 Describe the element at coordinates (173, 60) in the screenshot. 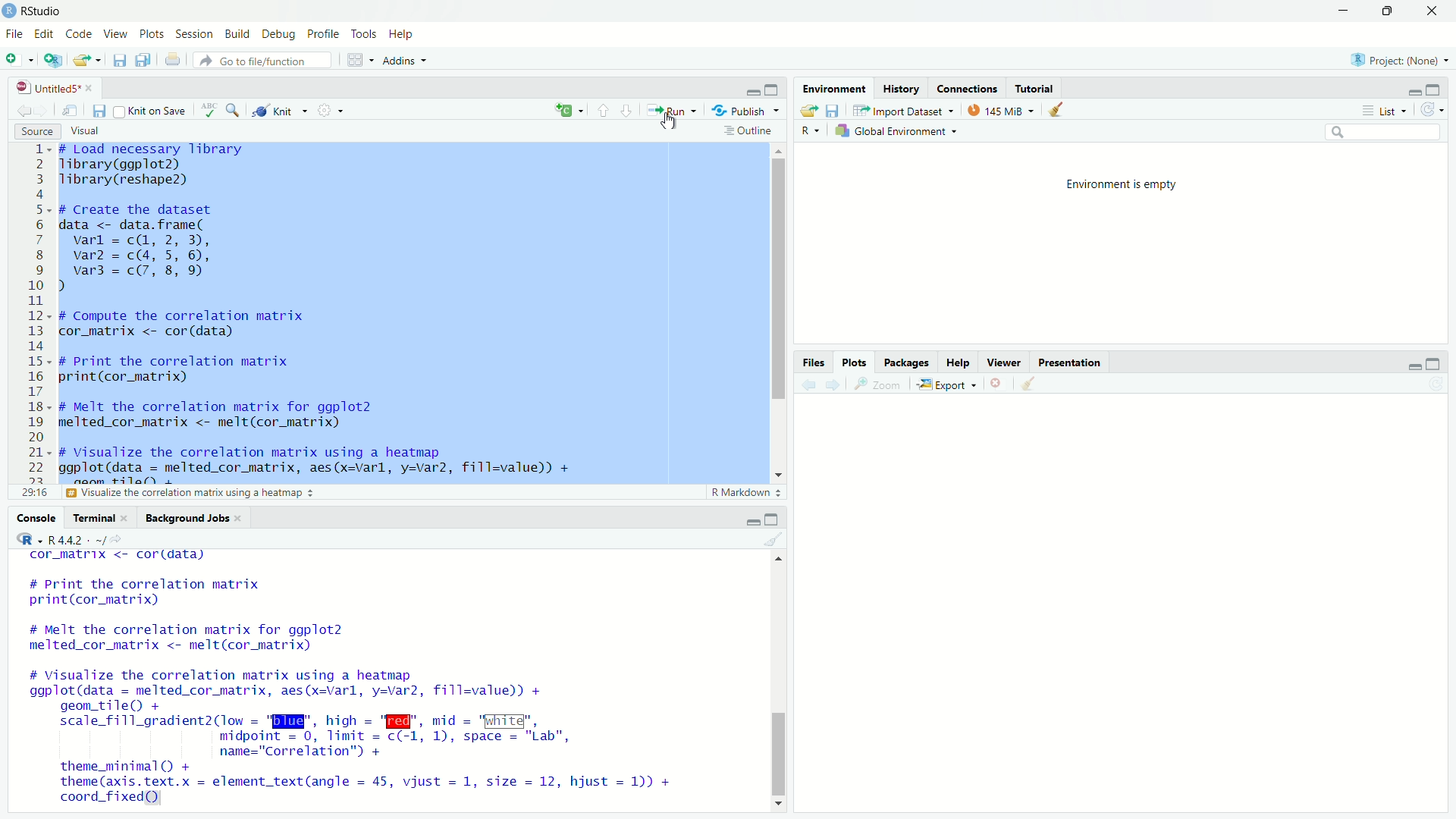

I see `print current document` at that location.